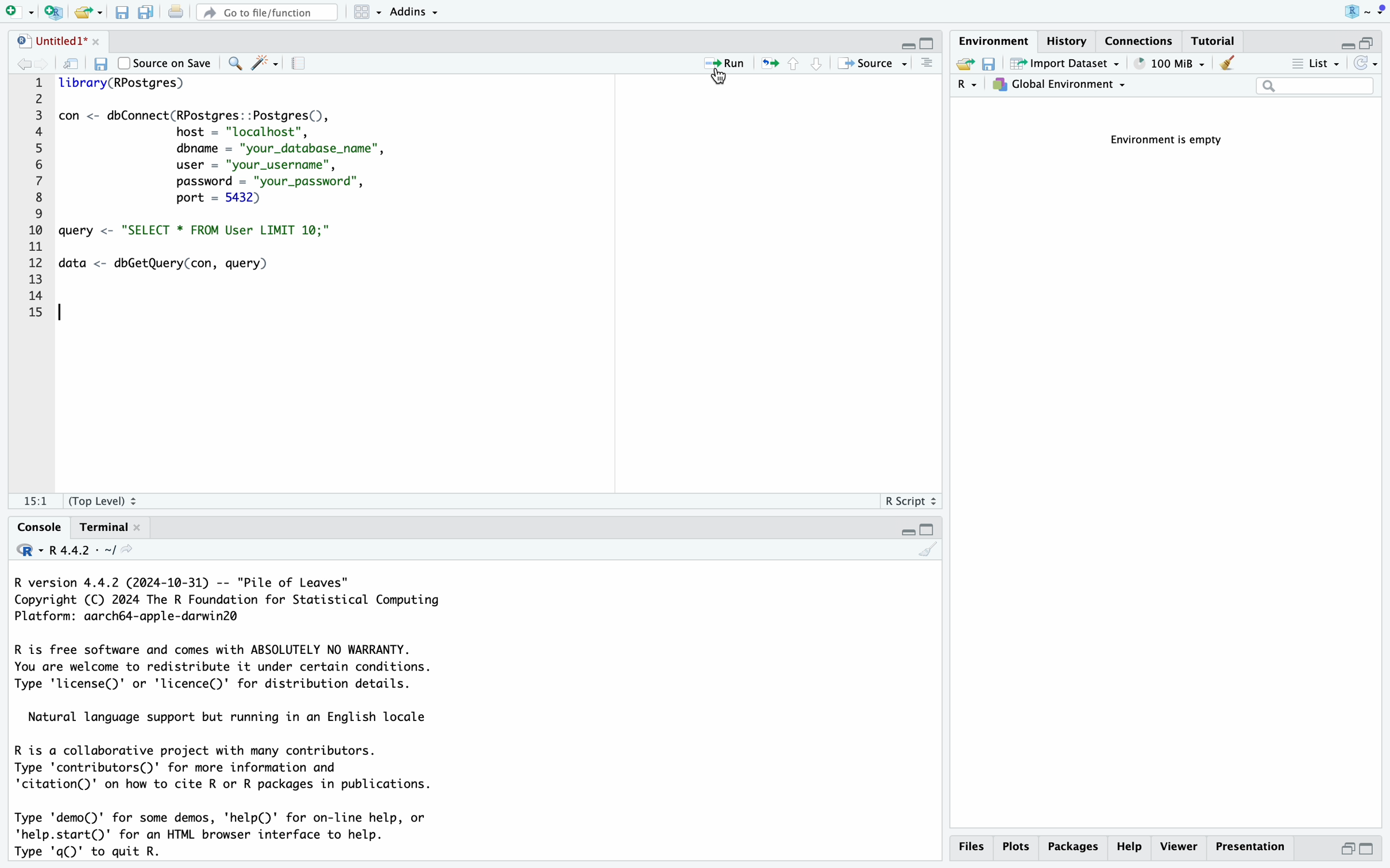 The image size is (1390, 868). I want to click on maximize, so click(928, 40).